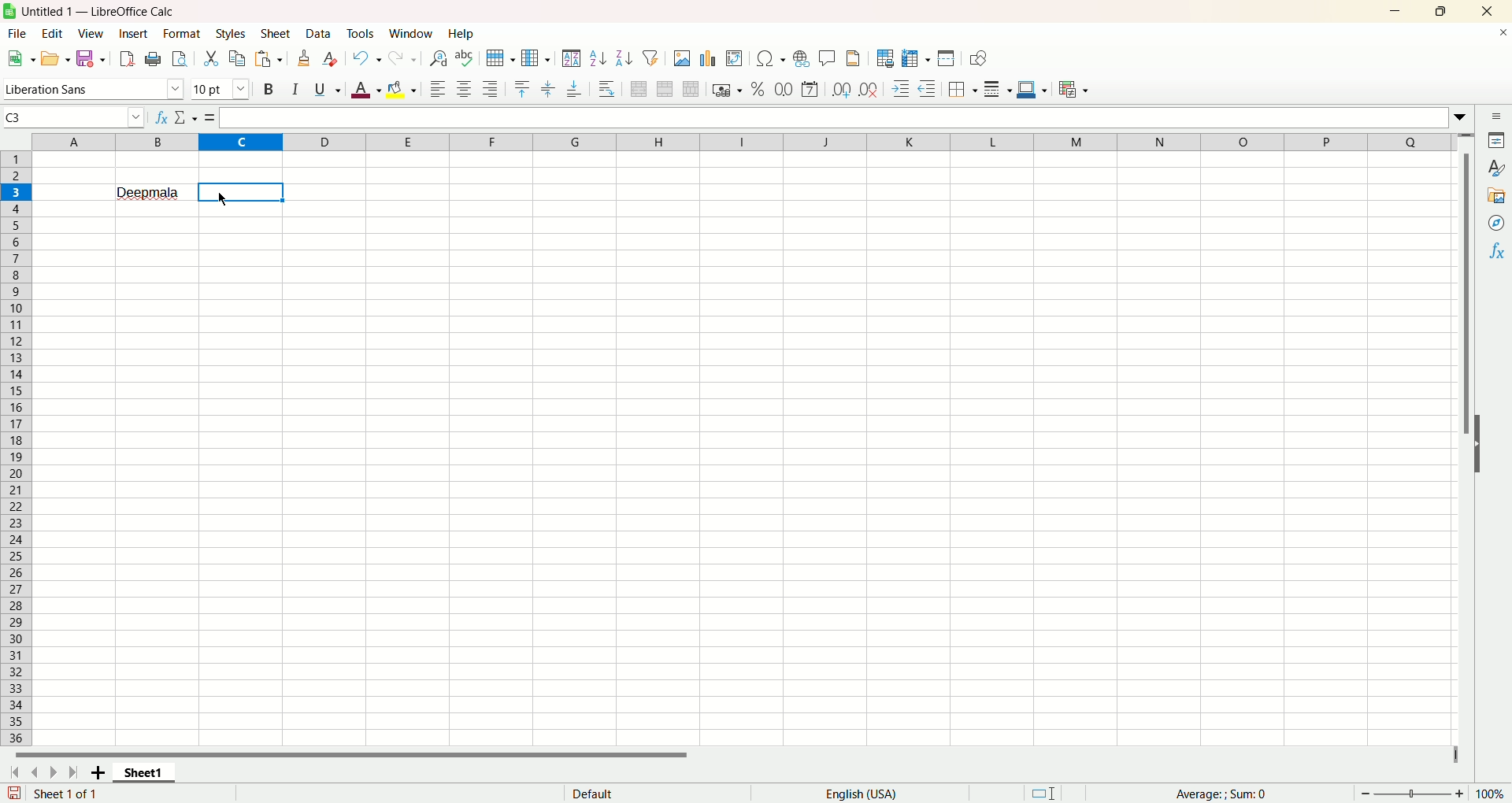 The height and width of the screenshot is (803, 1512). I want to click on New, so click(20, 57).